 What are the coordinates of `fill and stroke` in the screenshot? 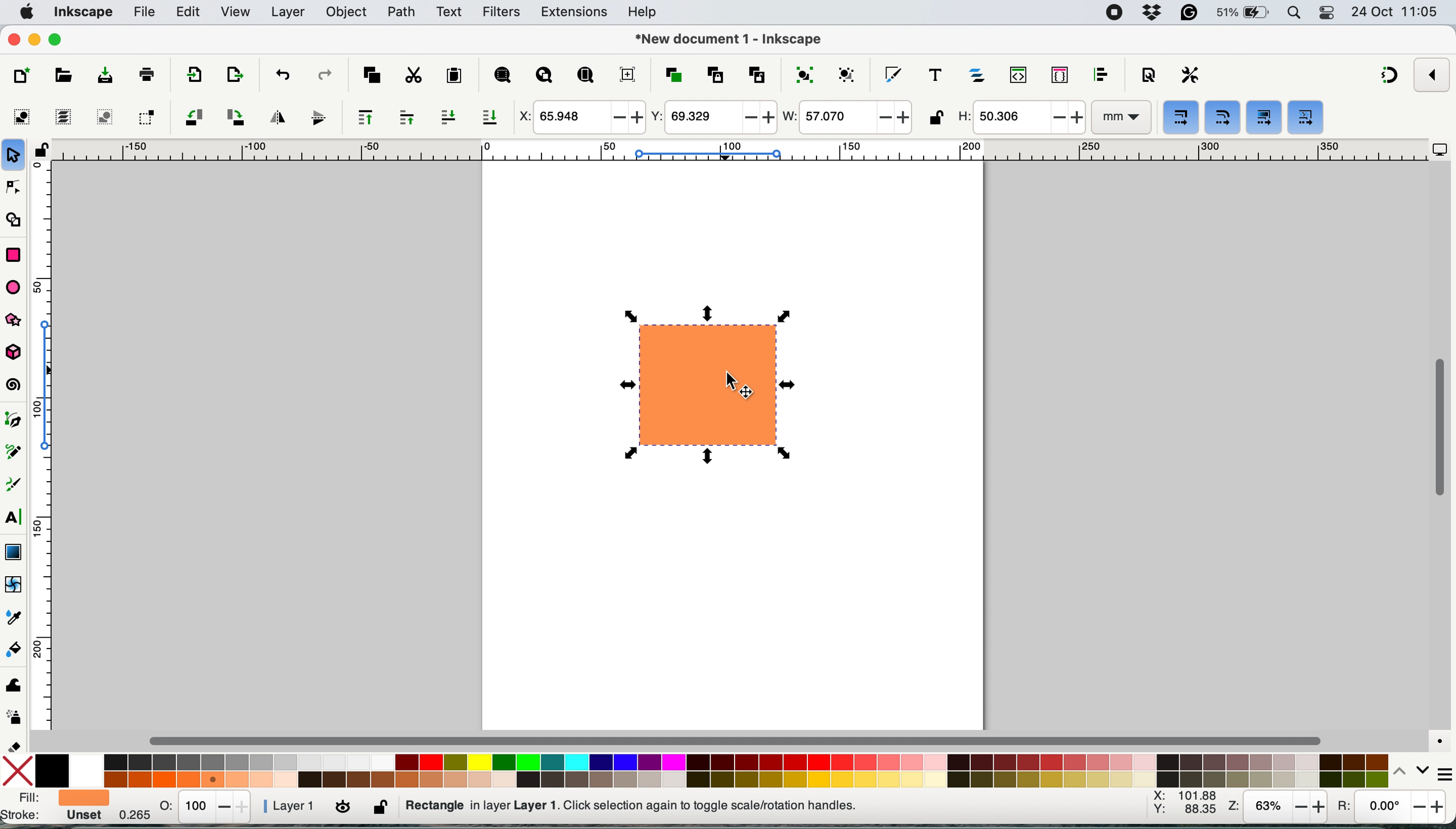 It's located at (54, 808).